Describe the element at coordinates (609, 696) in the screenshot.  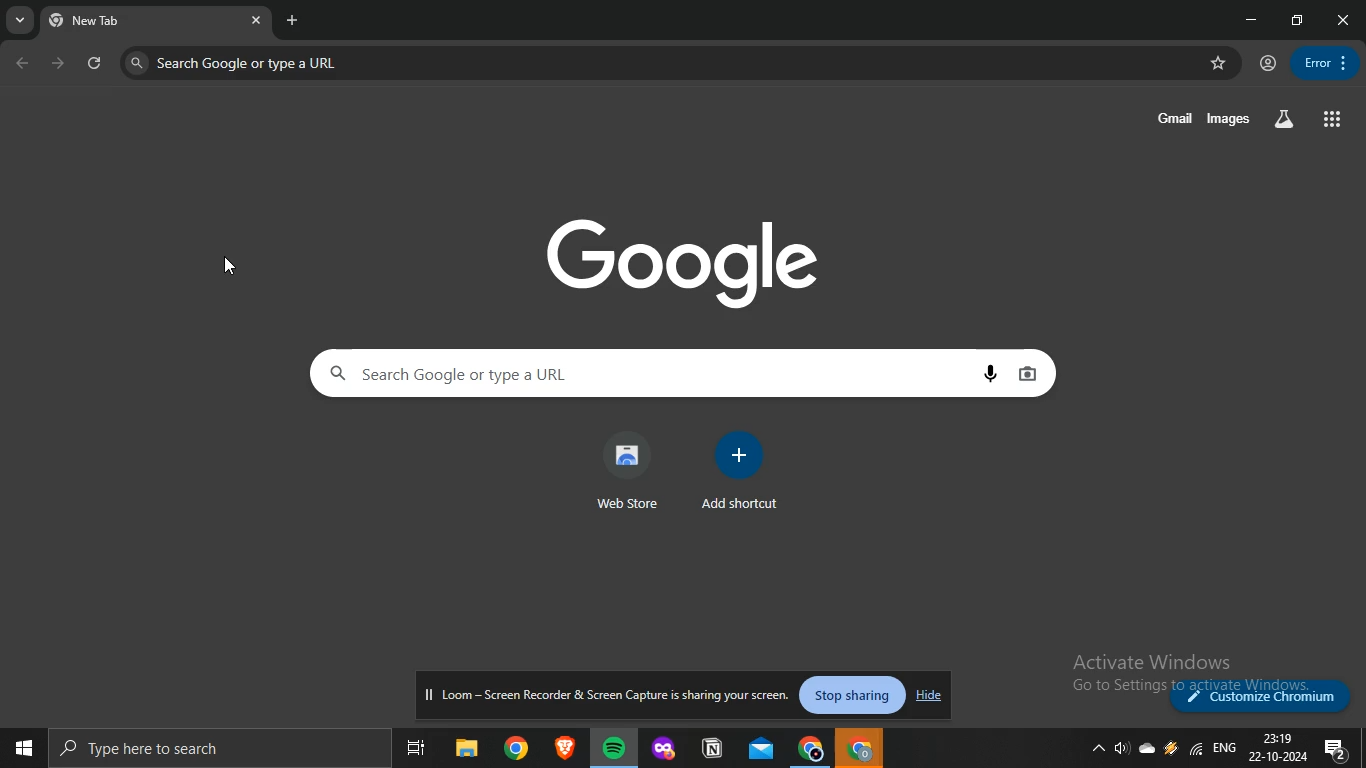
I see ` Loom — Screen Recorder & Screen Capture is sharing your screen.` at that location.